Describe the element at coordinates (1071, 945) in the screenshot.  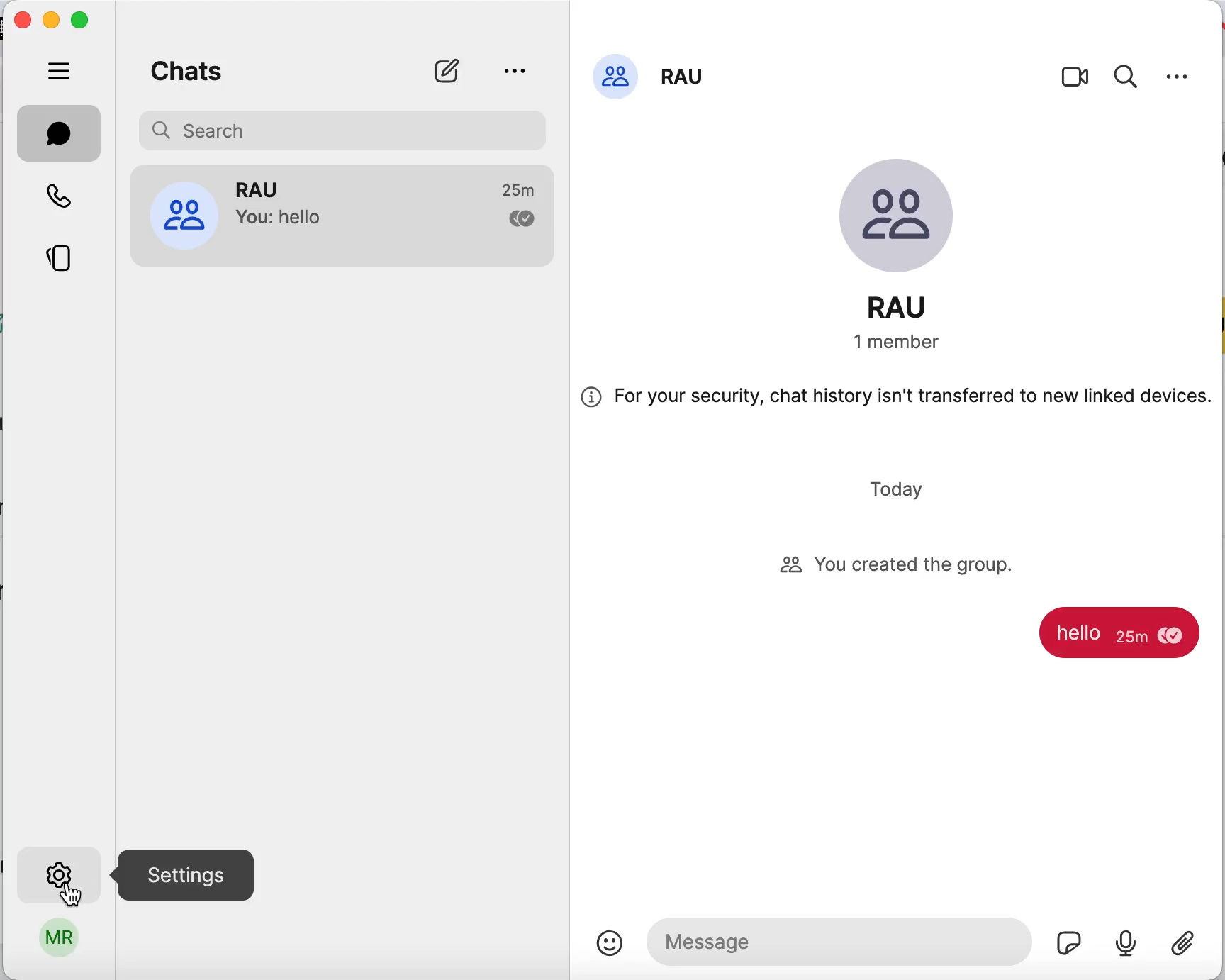
I see `stickers` at that location.